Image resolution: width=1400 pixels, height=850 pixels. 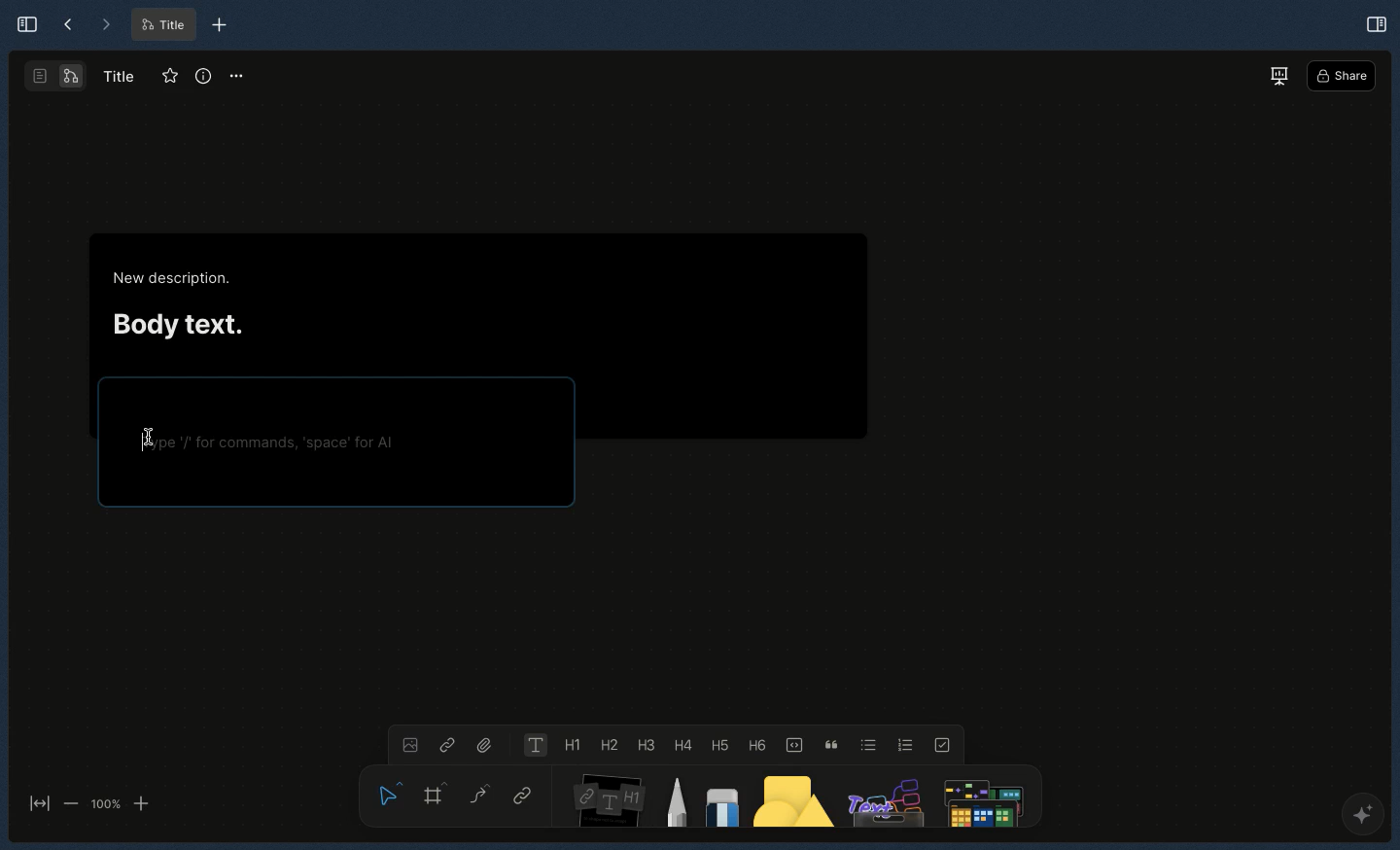 I want to click on Numbered list, so click(x=906, y=744).